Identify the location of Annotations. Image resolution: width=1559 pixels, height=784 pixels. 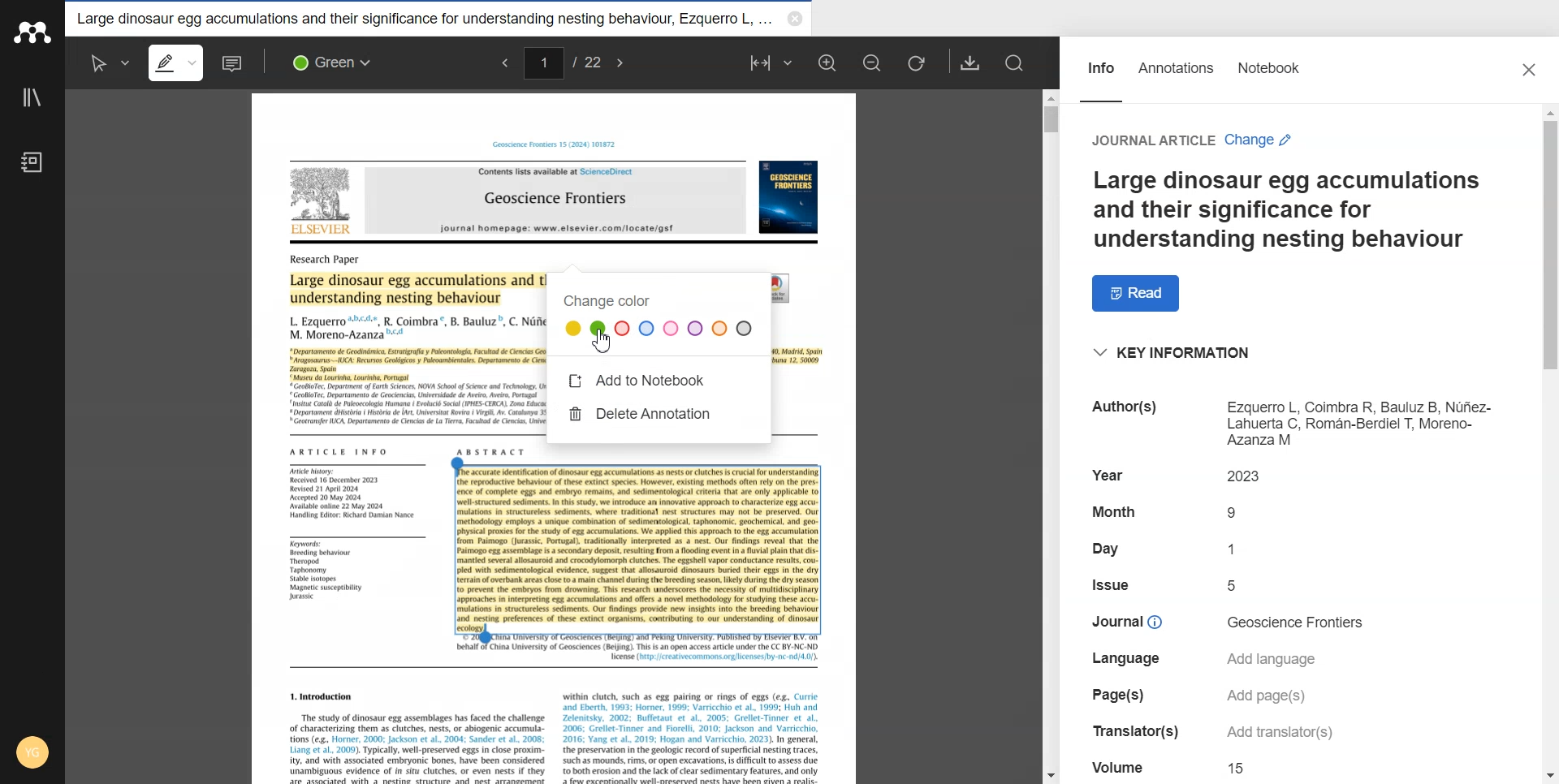
(1177, 77).